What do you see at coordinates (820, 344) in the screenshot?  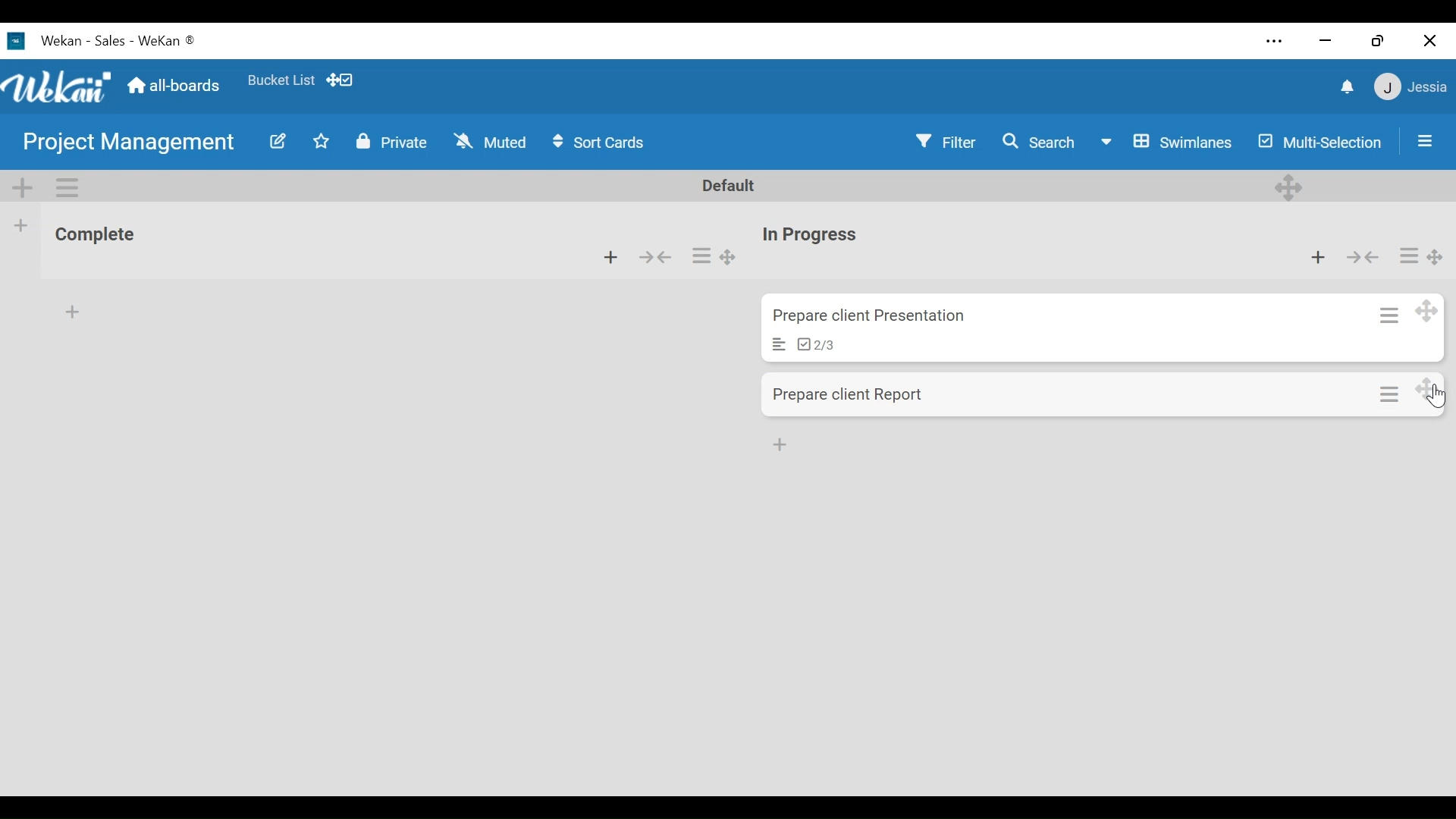 I see `Checklist` at bounding box center [820, 344].